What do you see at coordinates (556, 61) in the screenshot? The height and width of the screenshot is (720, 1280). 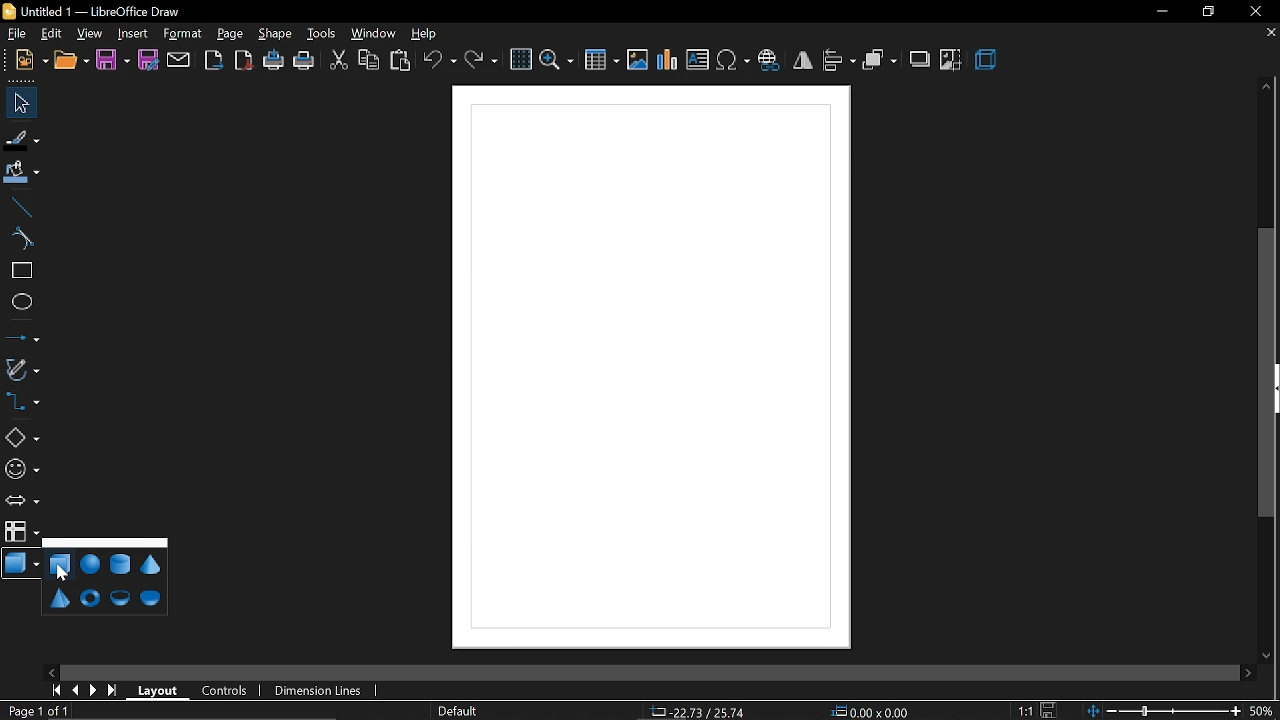 I see `zoom` at bounding box center [556, 61].